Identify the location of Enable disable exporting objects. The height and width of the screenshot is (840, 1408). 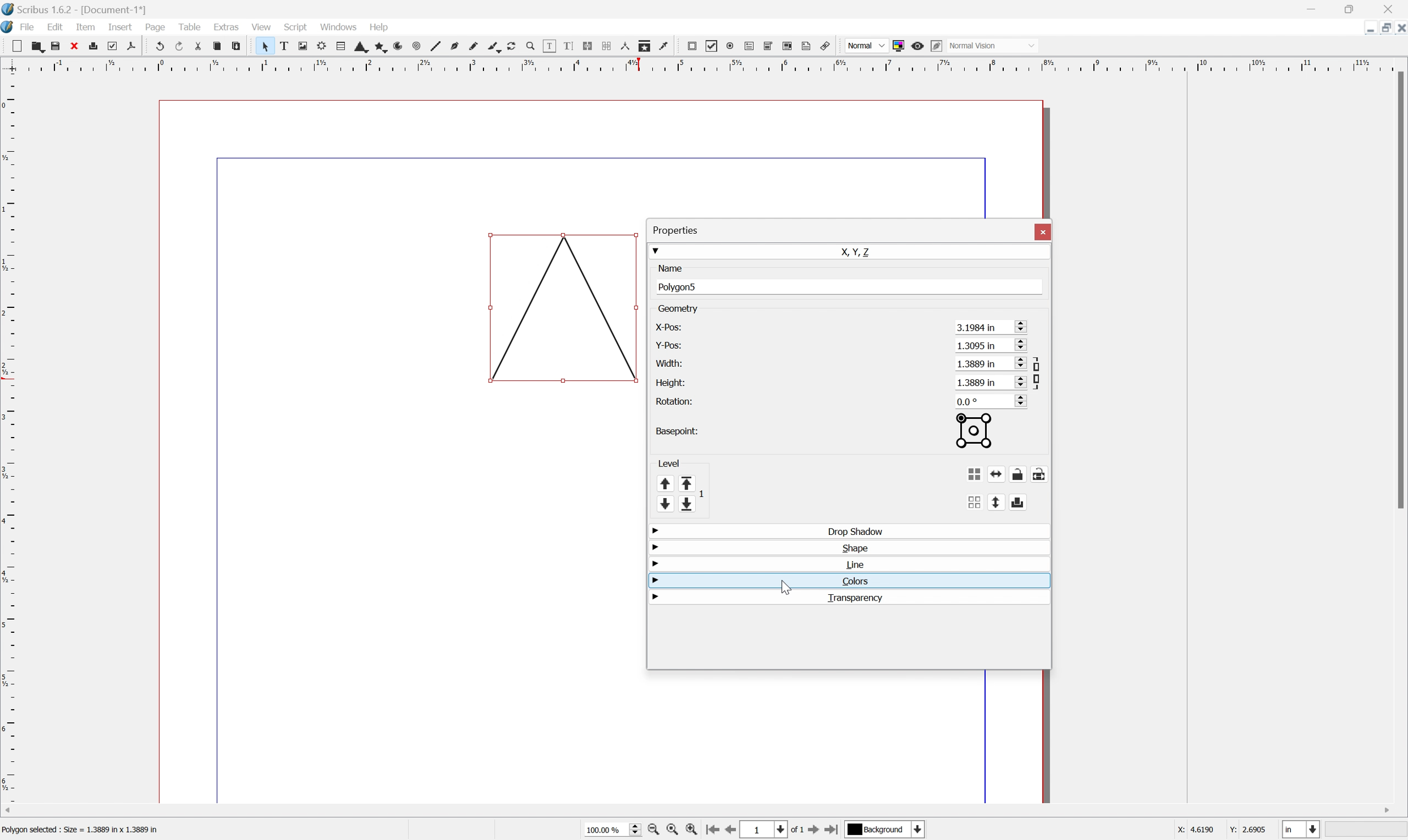
(1018, 503).